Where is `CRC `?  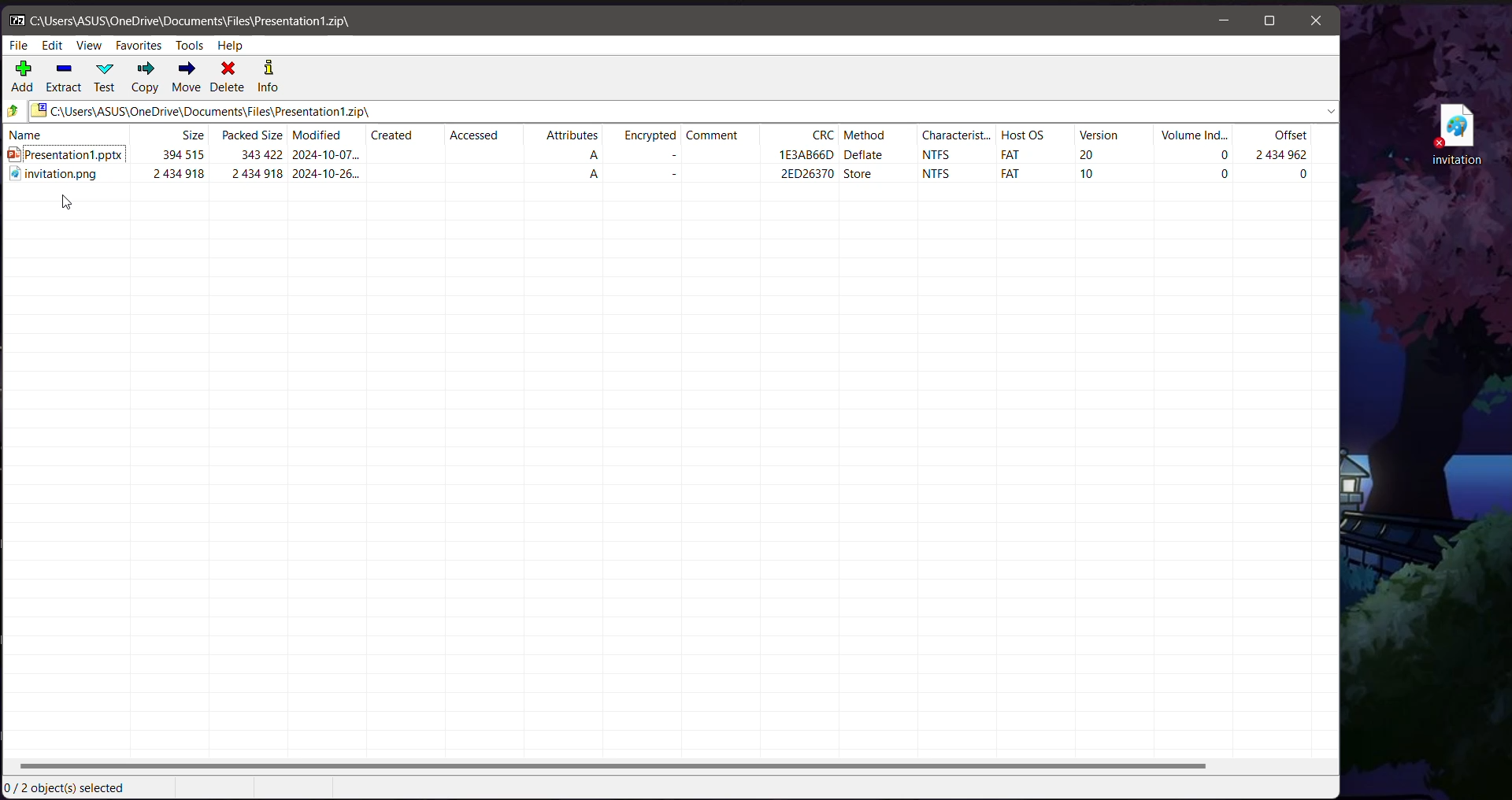
CRC  is located at coordinates (800, 135).